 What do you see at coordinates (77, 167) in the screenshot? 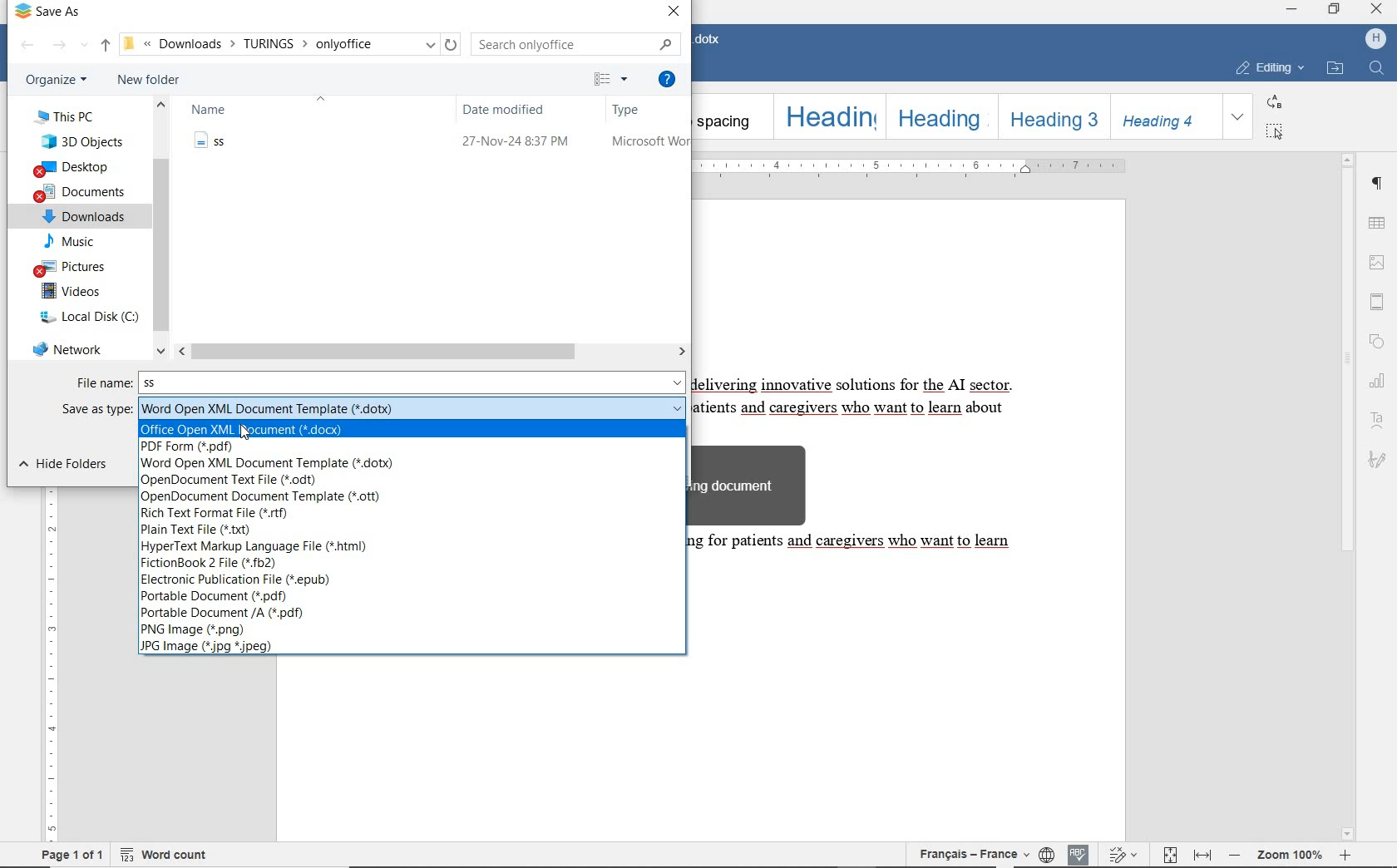
I see `DESKTOP` at bounding box center [77, 167].